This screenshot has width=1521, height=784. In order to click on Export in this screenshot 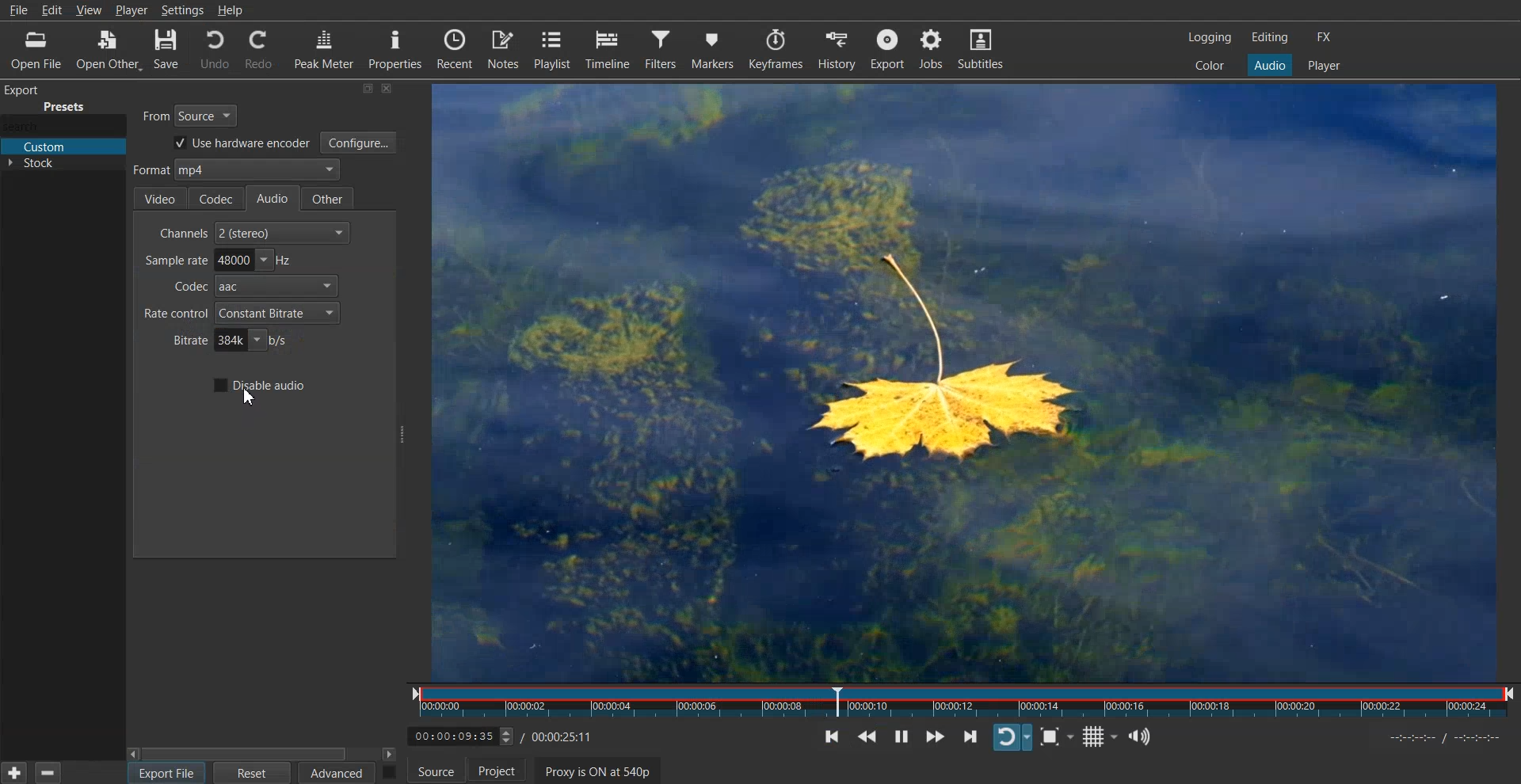, I will do `click(889, 48)`.